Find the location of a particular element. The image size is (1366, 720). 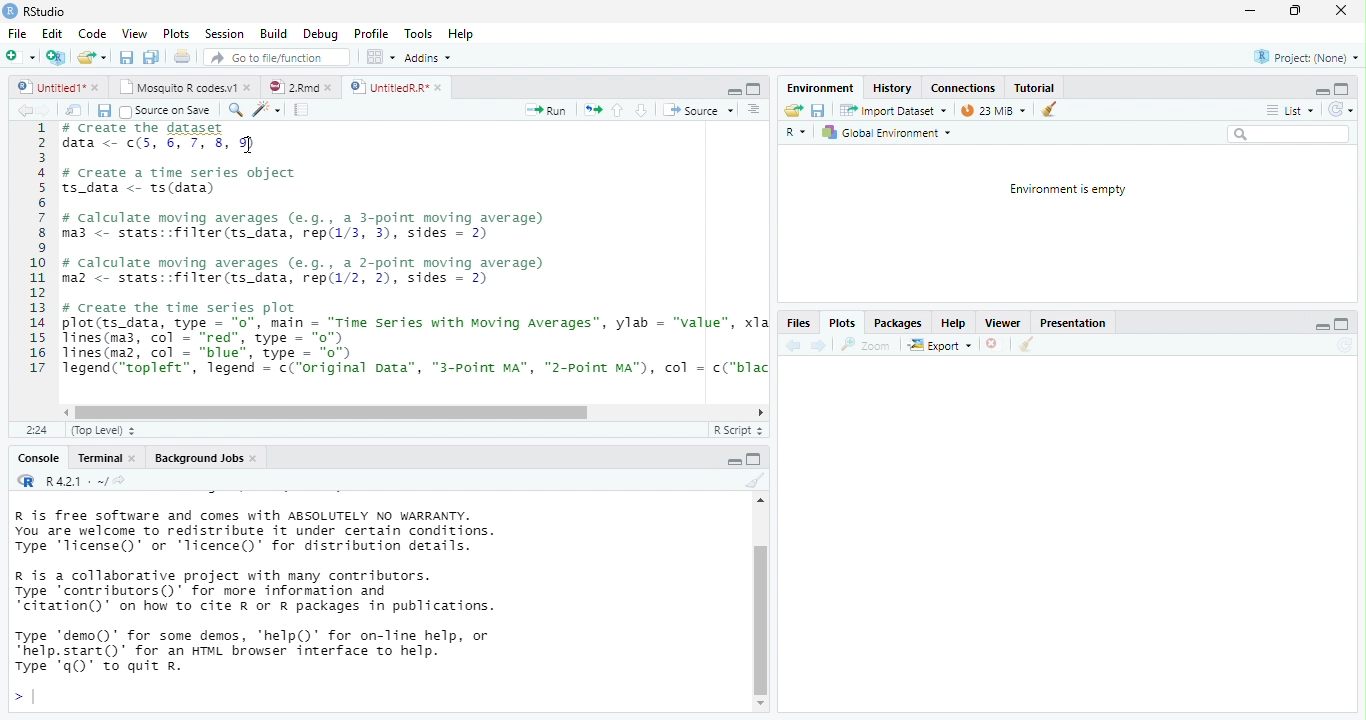

Profile is located at coordinates (371, 34).